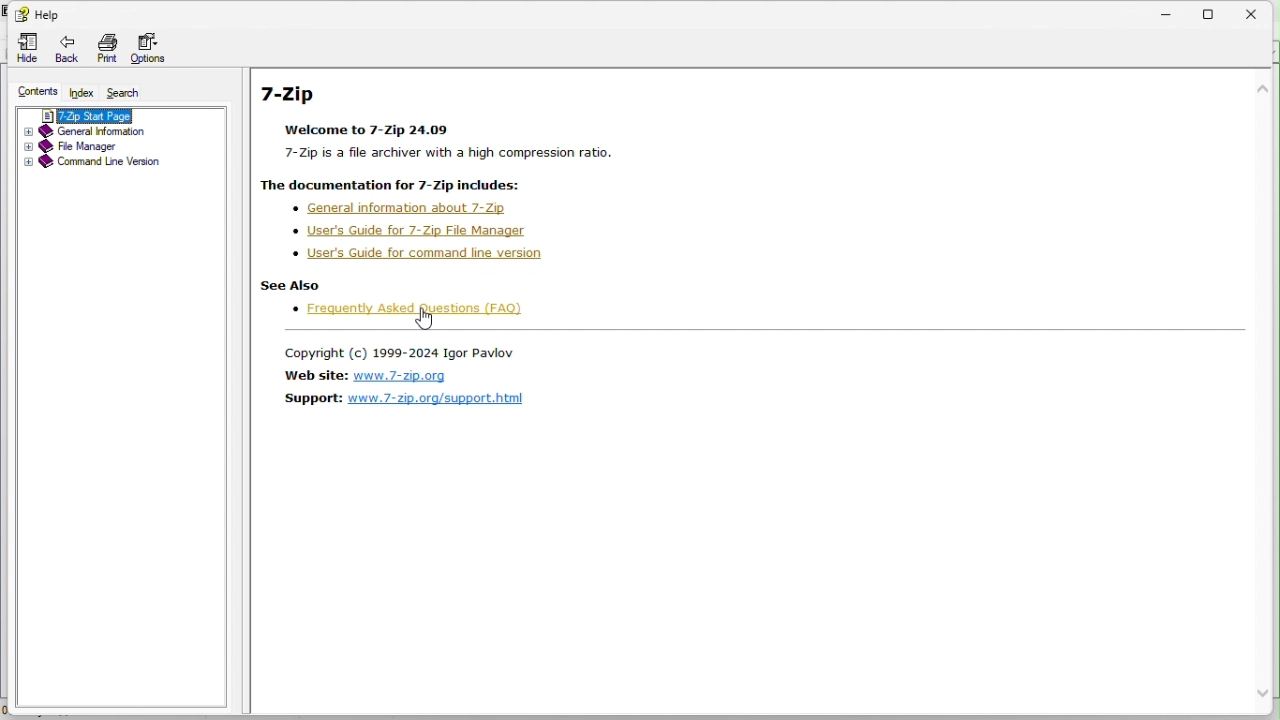 The height and width of the screenshot is (720, 1280). I want to click on Frequently Asked questions, so click(392, 311).